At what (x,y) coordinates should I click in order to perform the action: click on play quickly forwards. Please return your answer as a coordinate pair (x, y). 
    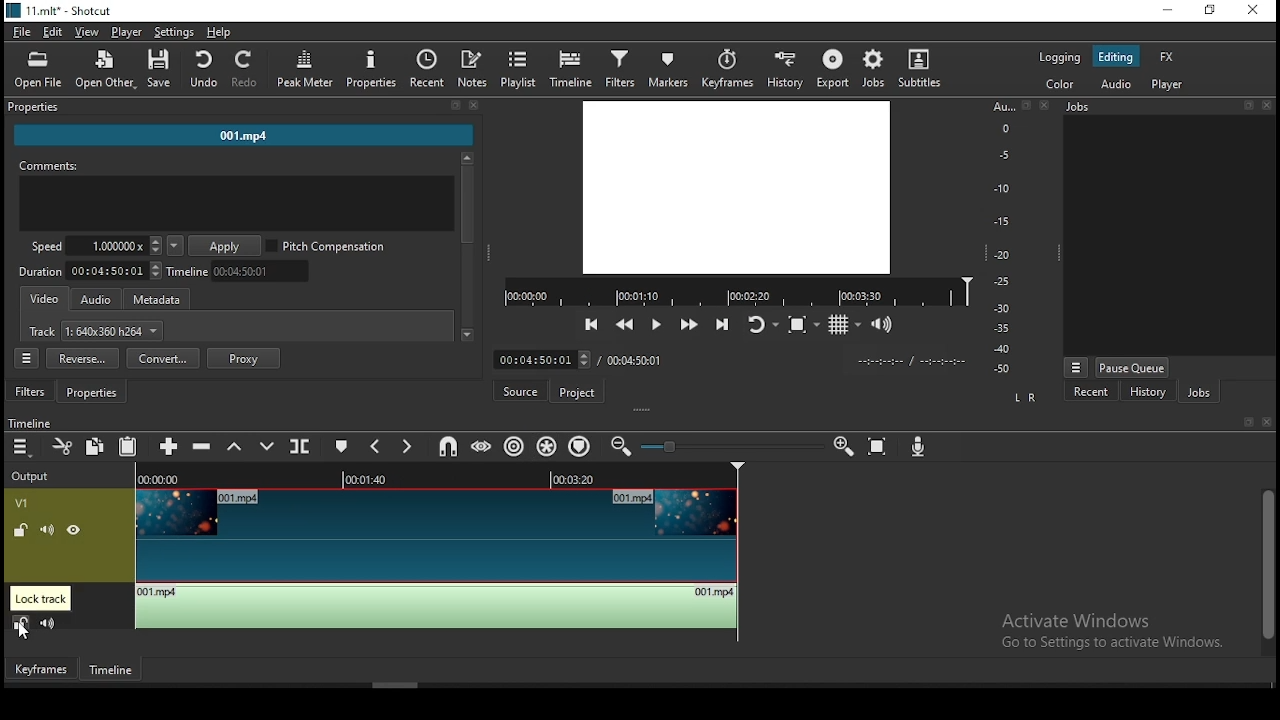
    Looking at the image, I should click on (688, 324).